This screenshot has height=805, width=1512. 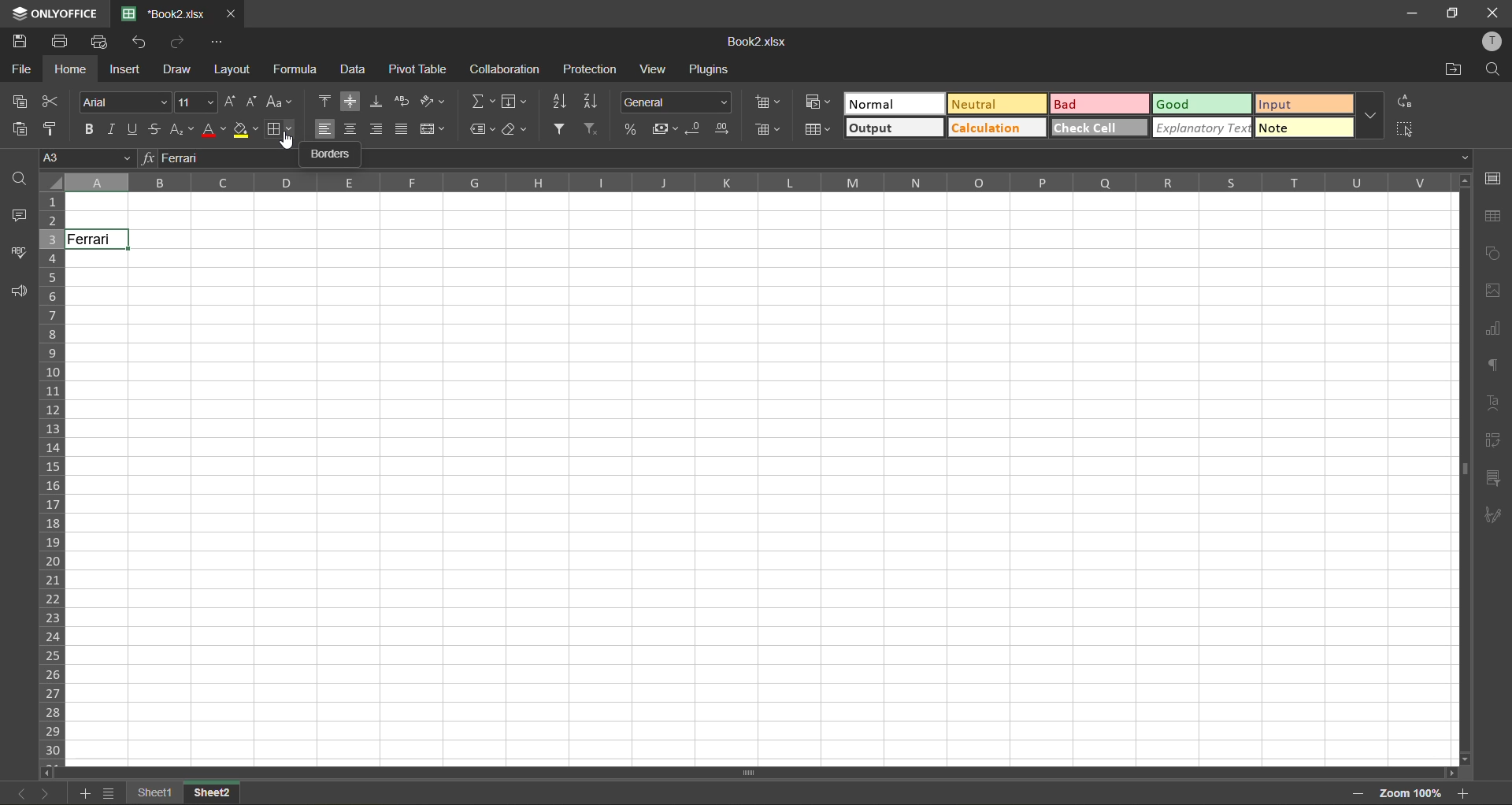 I want to click on collaboration, so click(x=506, y=69).